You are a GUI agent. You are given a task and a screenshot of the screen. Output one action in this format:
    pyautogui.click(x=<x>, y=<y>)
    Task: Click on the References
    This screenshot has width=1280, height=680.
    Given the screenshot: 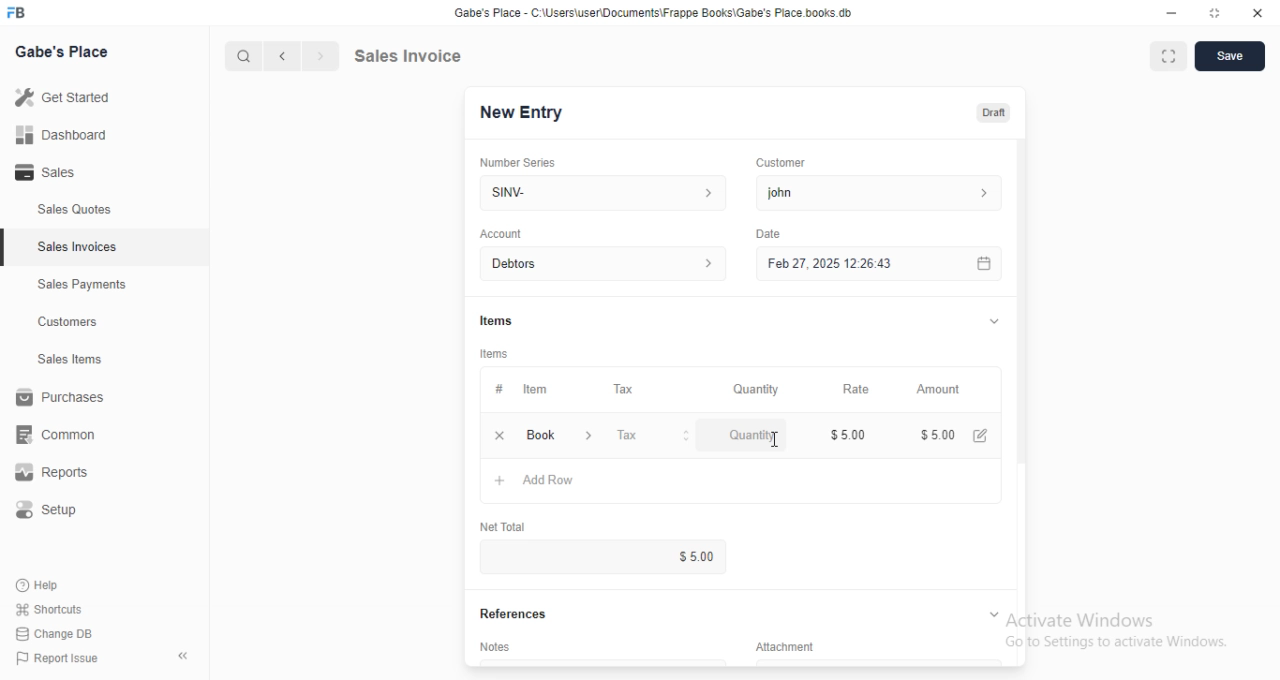 What is the action you would take?
    pyautogui.click(x=510, y=615)
    